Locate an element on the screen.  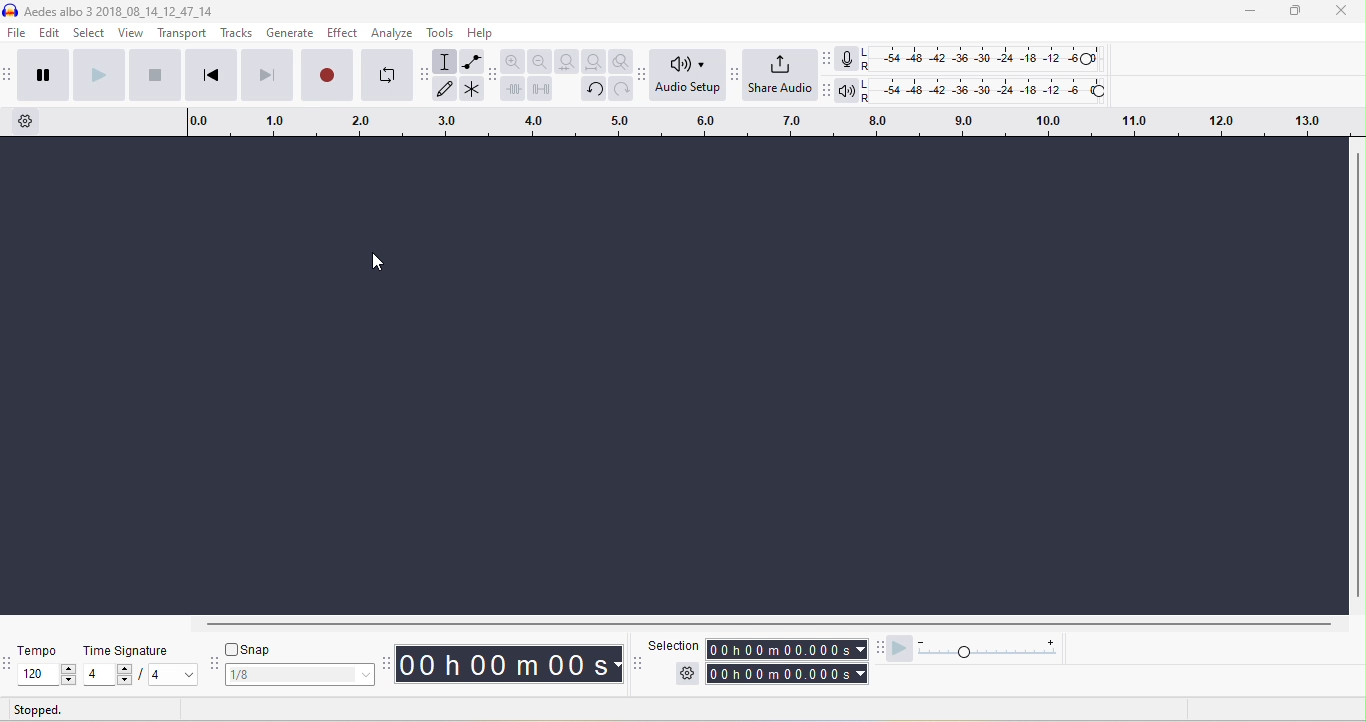
close is located at coordinates (1340, 12).